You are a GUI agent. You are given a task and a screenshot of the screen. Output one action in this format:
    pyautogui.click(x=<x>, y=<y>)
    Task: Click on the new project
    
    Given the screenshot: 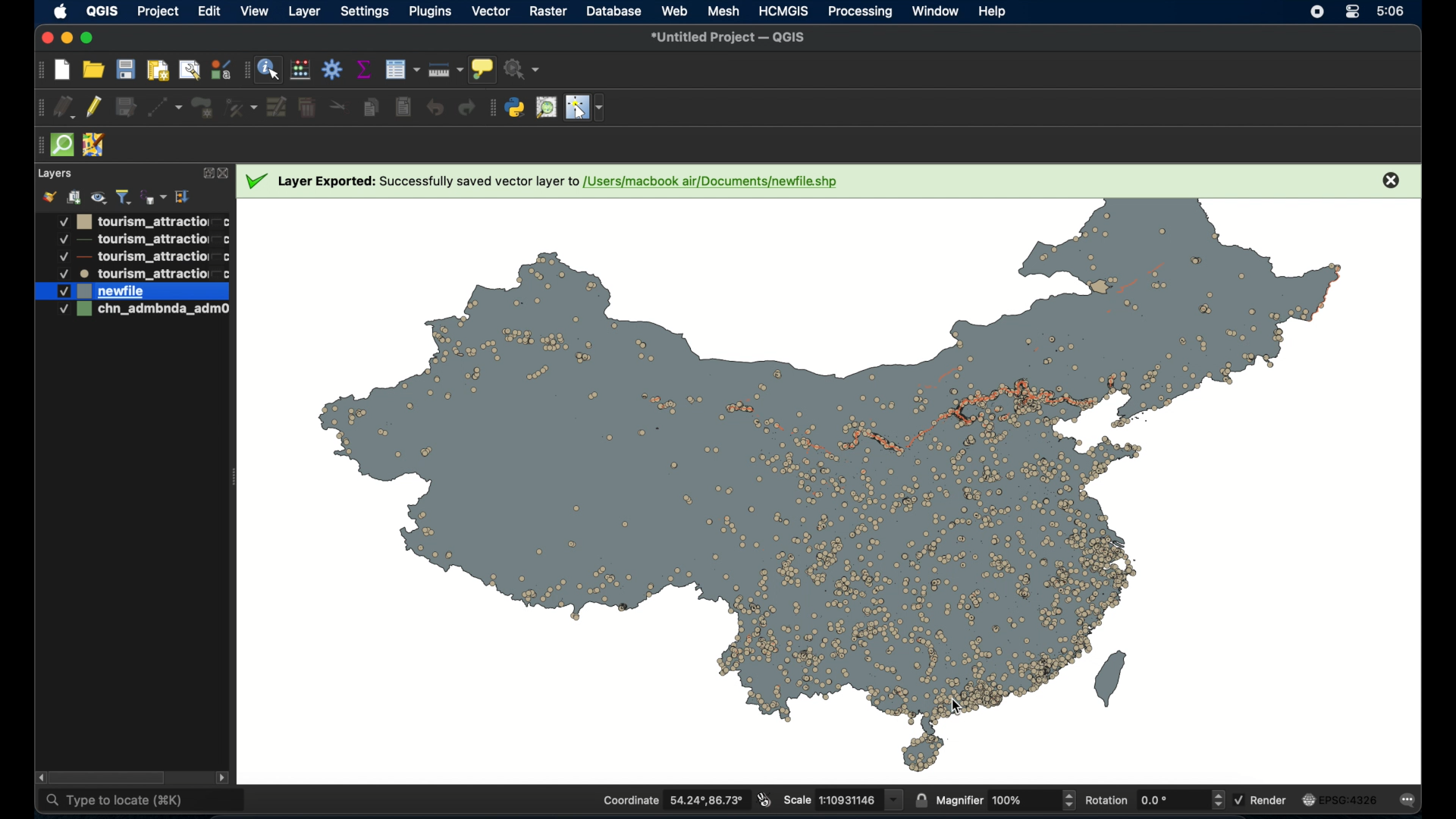 What is the action you would take?
    pyautogui.click(x=61, y=70)
    